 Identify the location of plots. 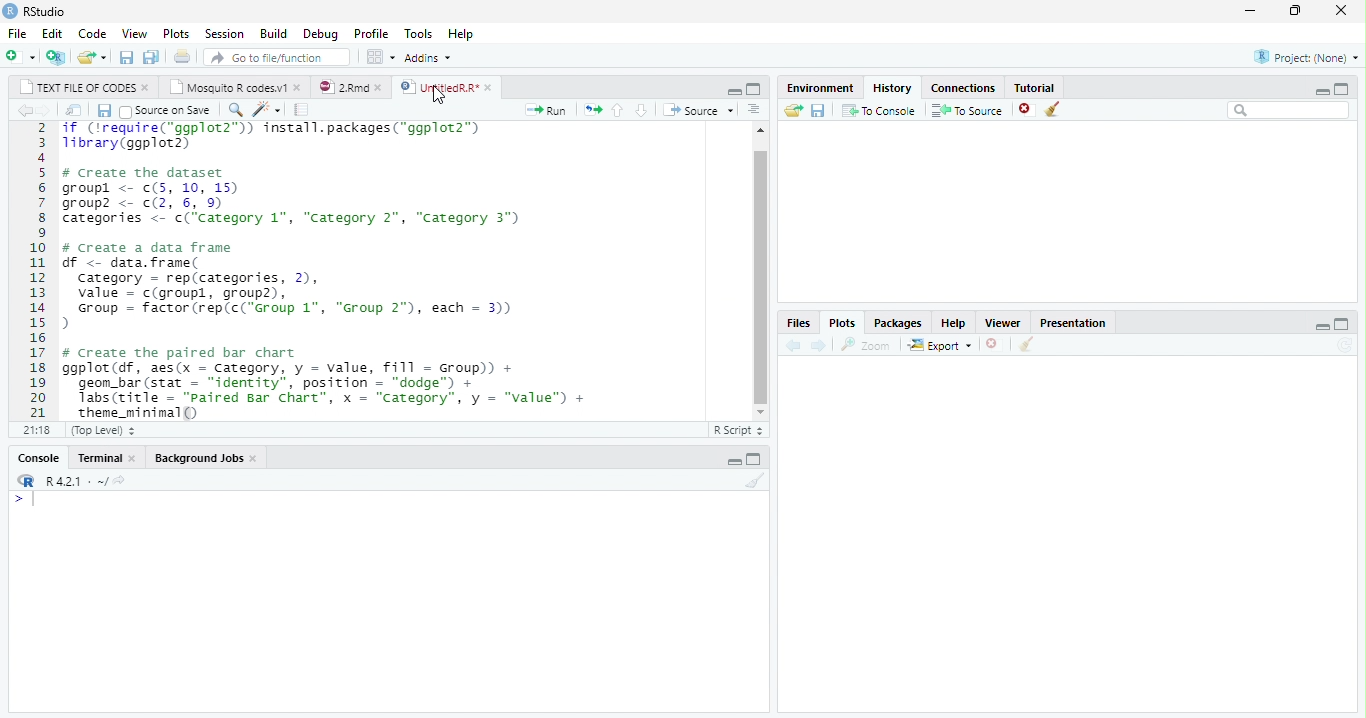
(846, 322).